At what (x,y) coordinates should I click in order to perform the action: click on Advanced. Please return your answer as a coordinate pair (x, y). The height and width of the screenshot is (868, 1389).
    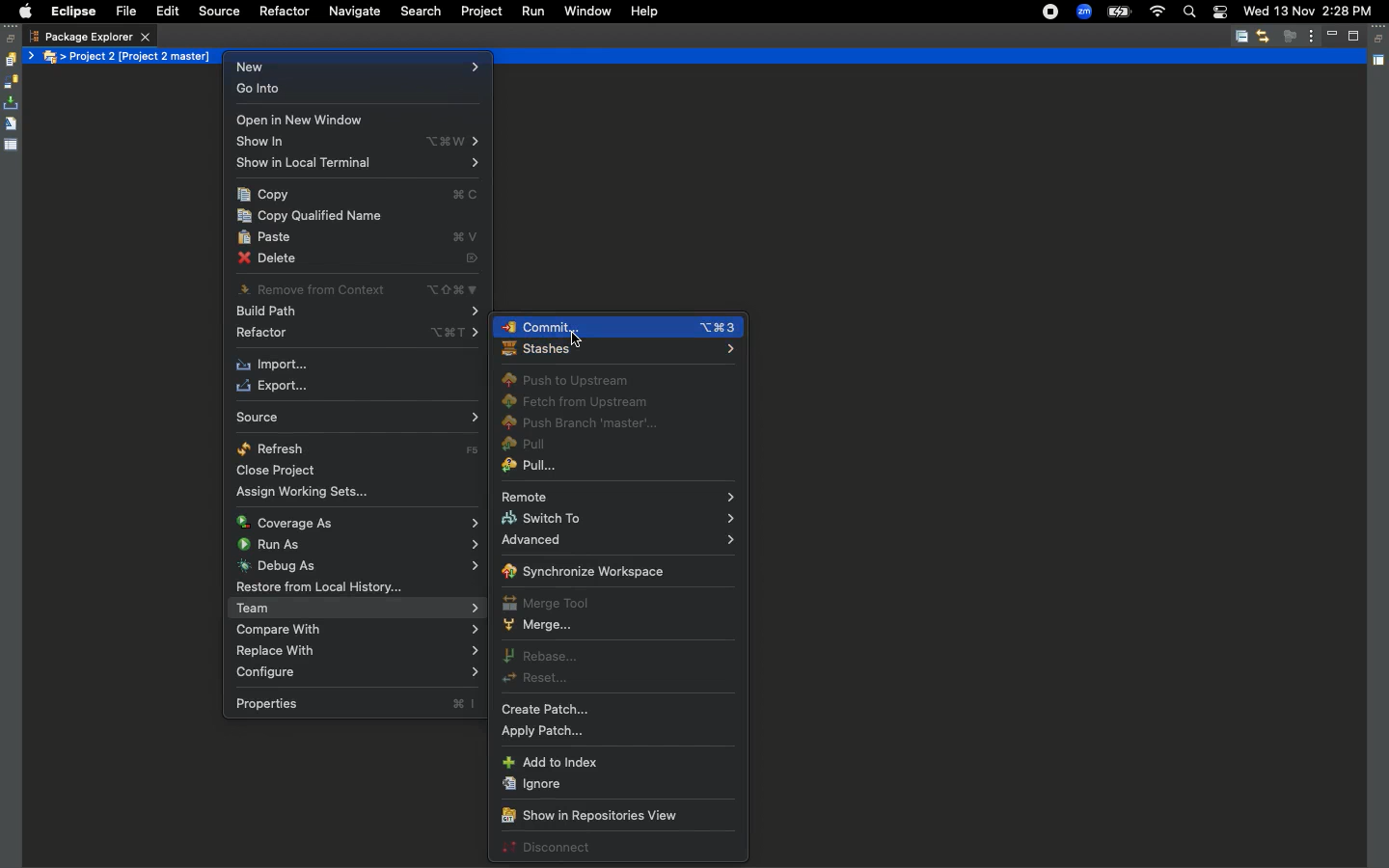
    Looking at the image, I should click on (616, 542).